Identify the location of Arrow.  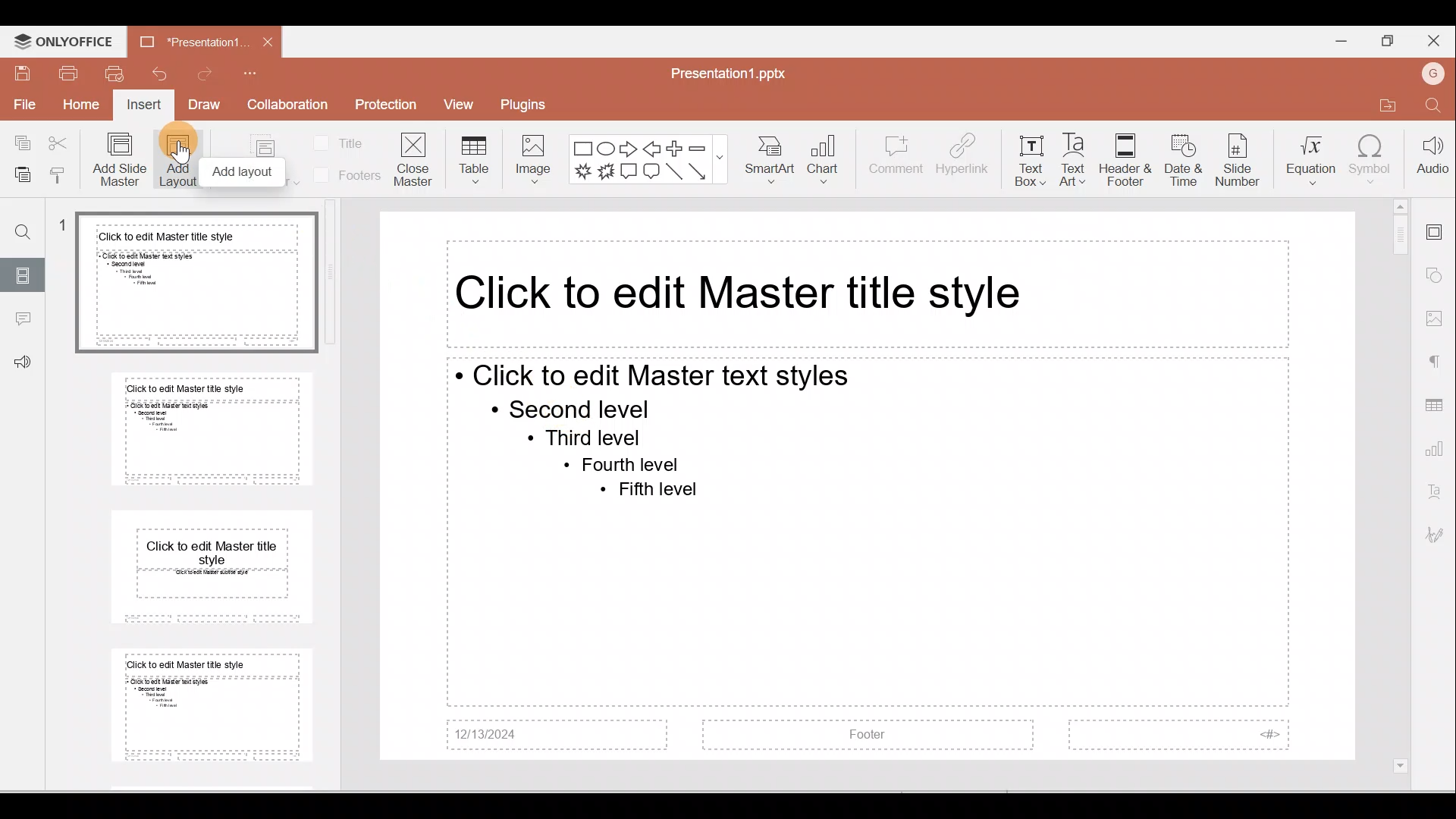
(699, 171).